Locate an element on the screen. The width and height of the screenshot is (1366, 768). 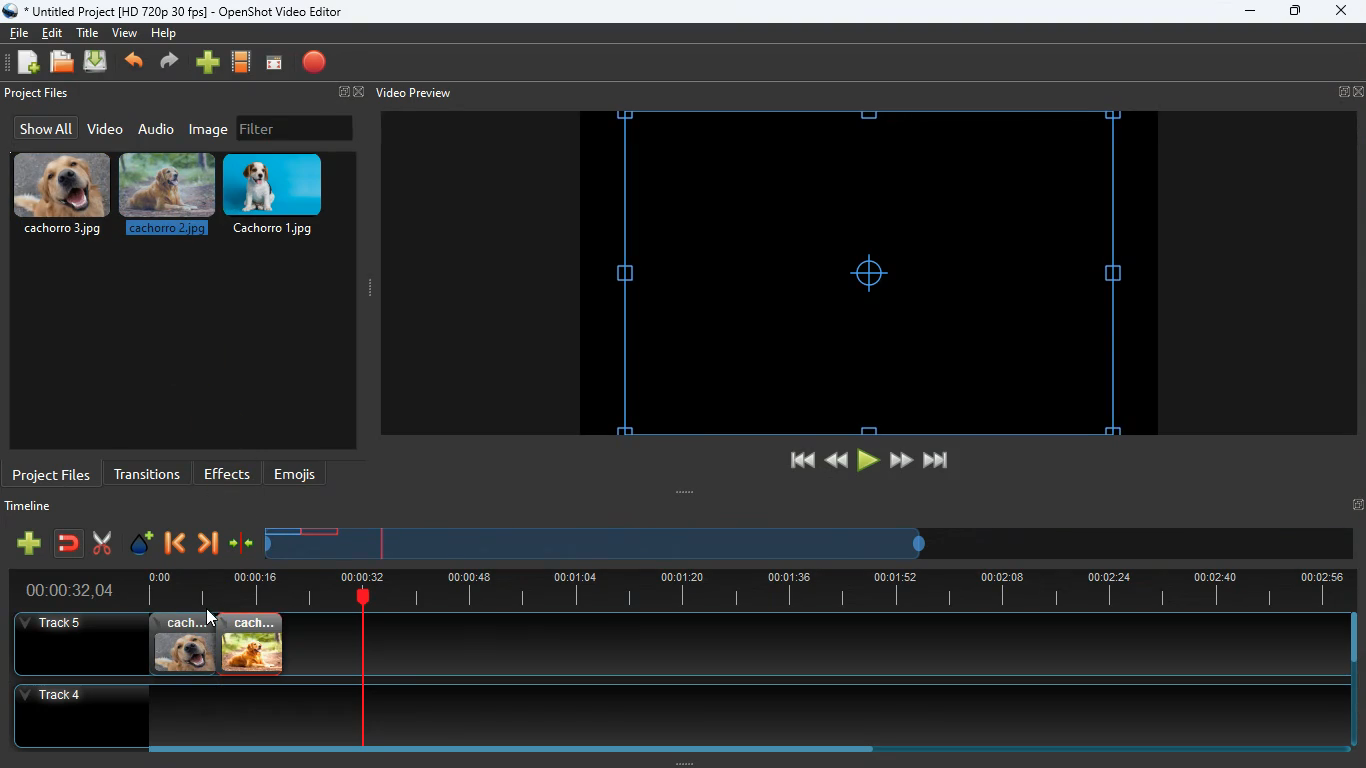
files is located at coordinates (63, 63).